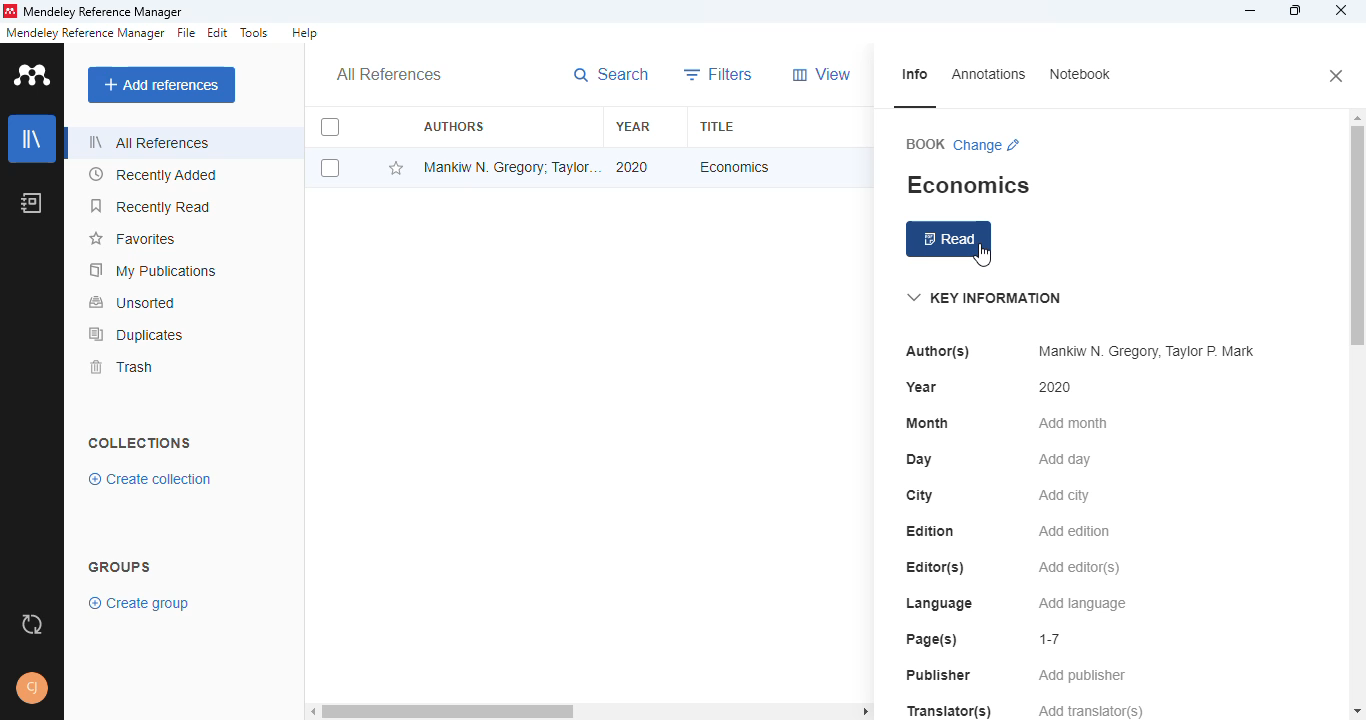 The width and height of the screenshot is (1366, 720). What do you see at coordinates (733, 166) in the screenshot?
I see `economics` at bounding box center [733, 166].